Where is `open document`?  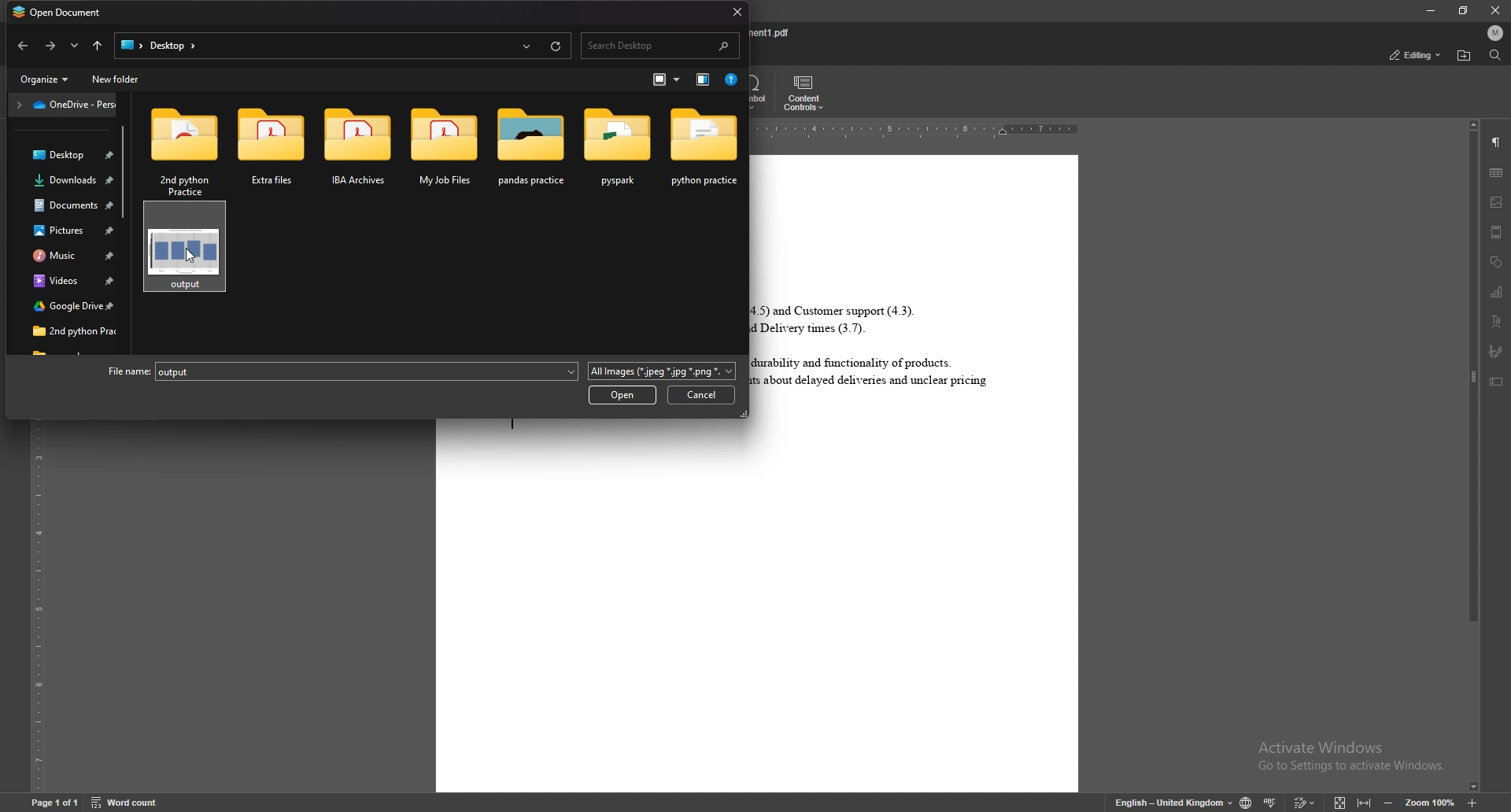 open document is located at coordinates (62, 13).